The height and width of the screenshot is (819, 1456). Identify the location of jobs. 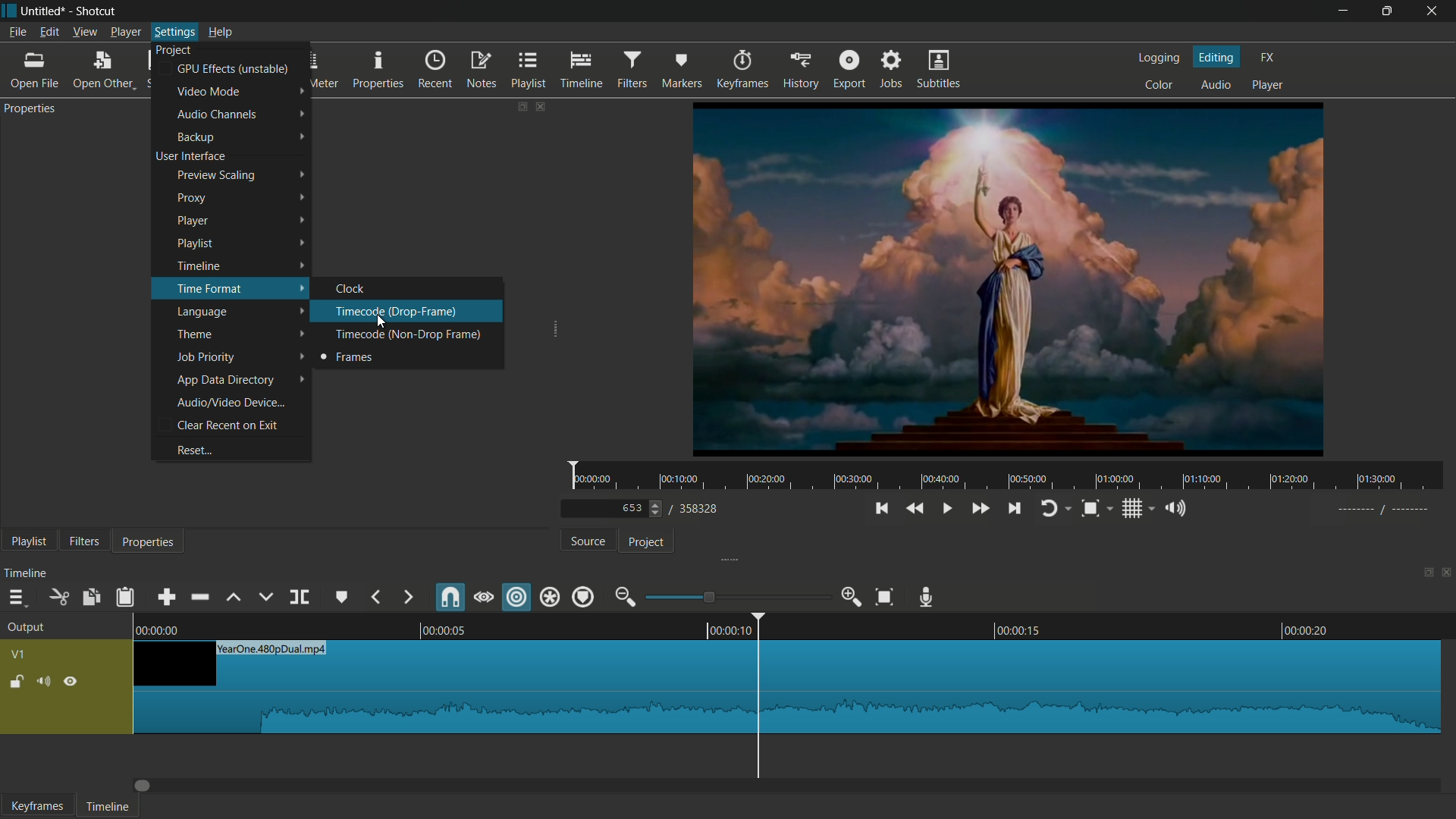
(893, 70).